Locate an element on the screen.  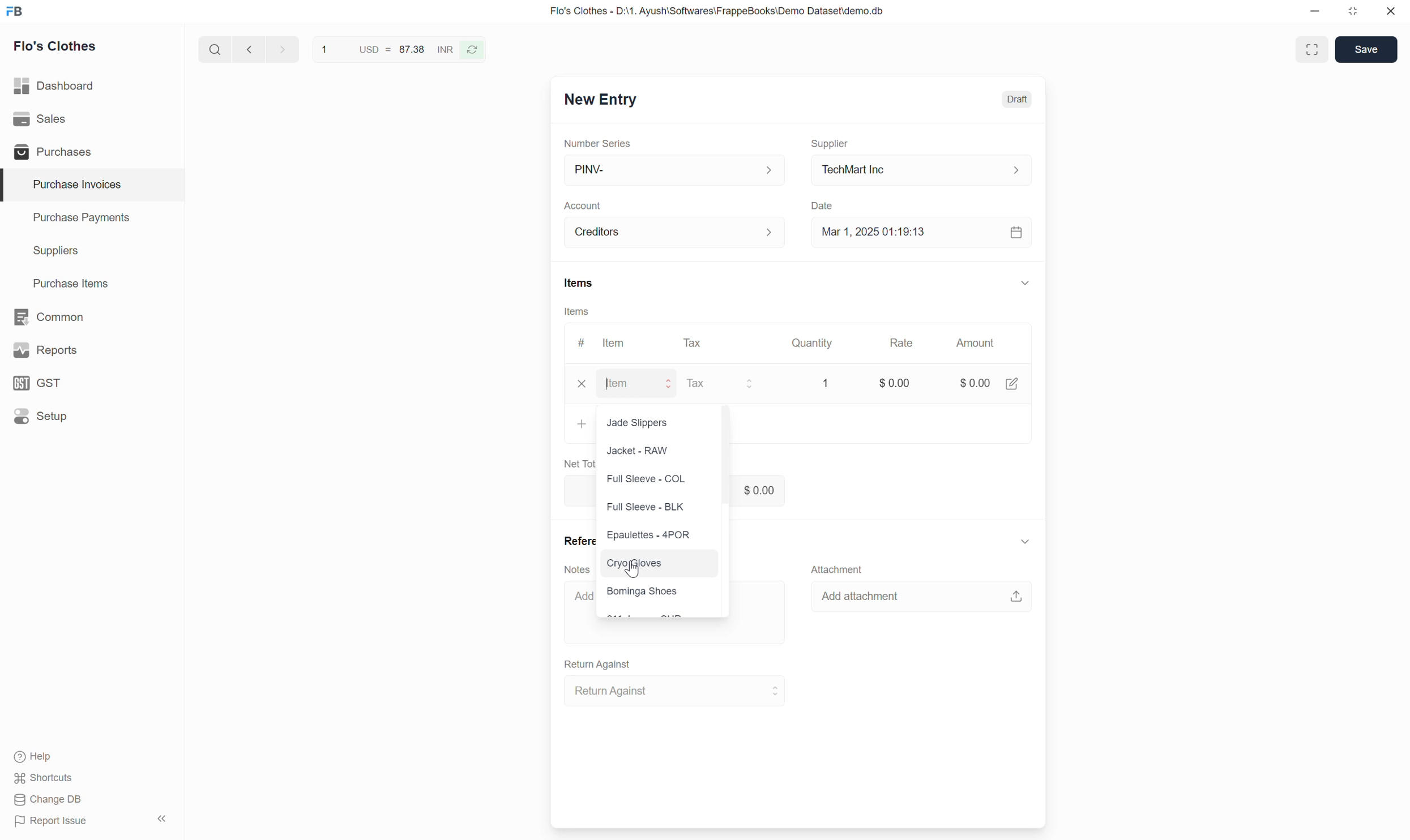
Sales is located at coordinates (42, 119).